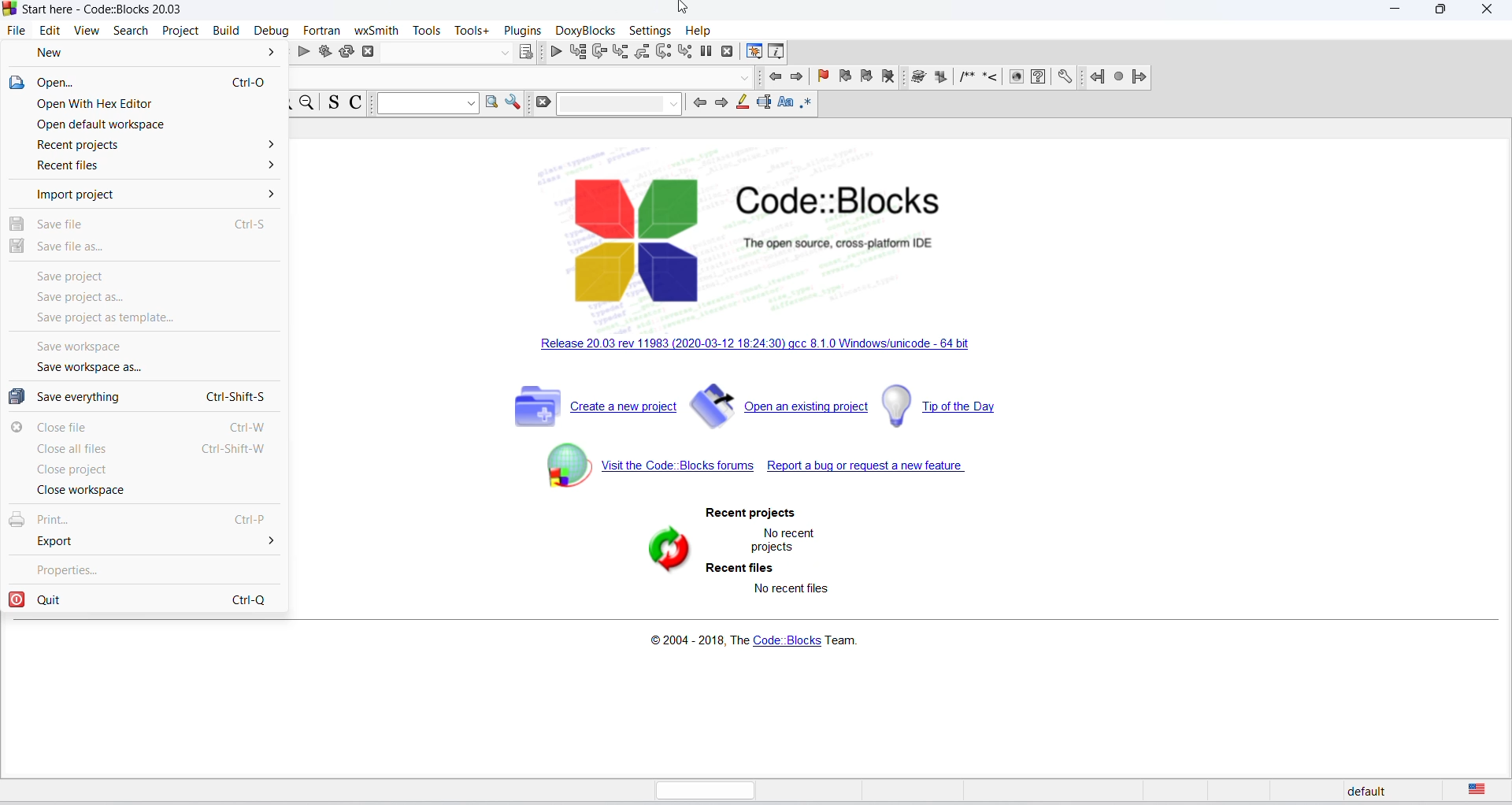 The height and width of the screenshot is (805, 1512). Describe the element at coordinates (98, 10) in the screenshot. I see `start here window` at that location.